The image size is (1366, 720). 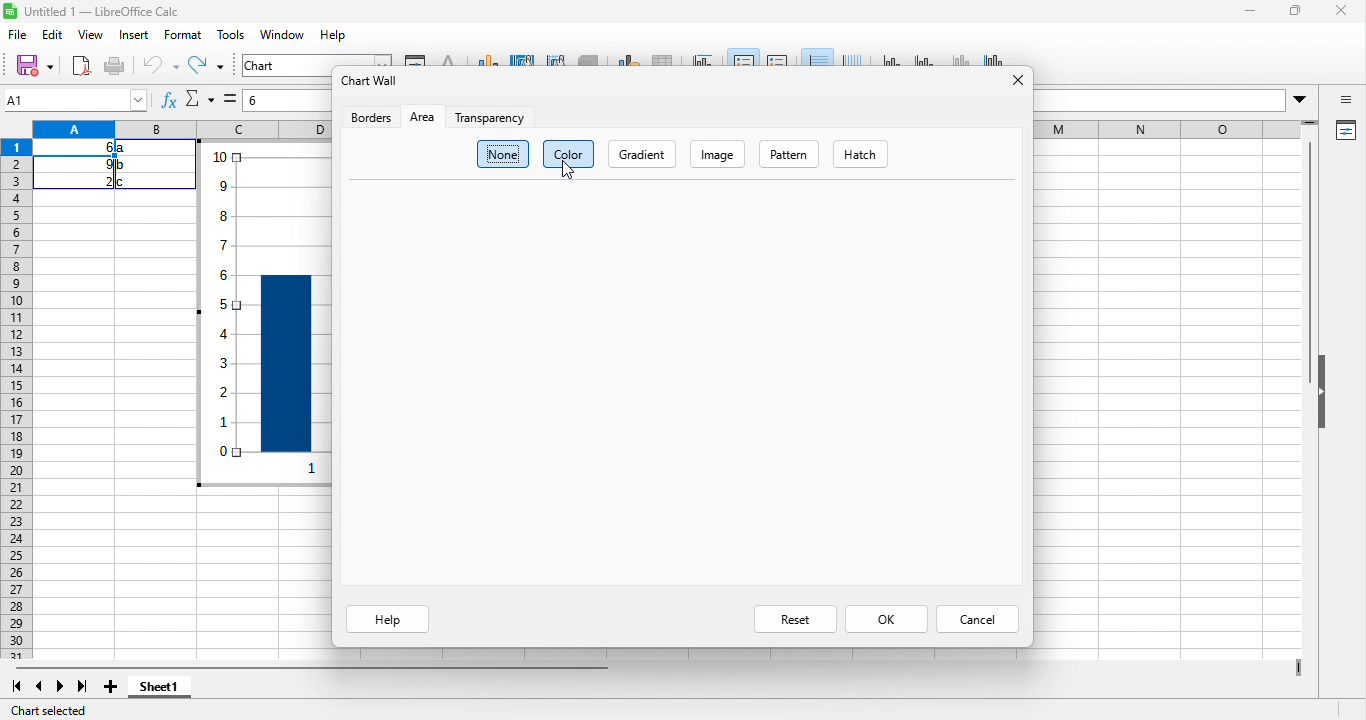 I want to click on redo, so click(x=205, y=65).